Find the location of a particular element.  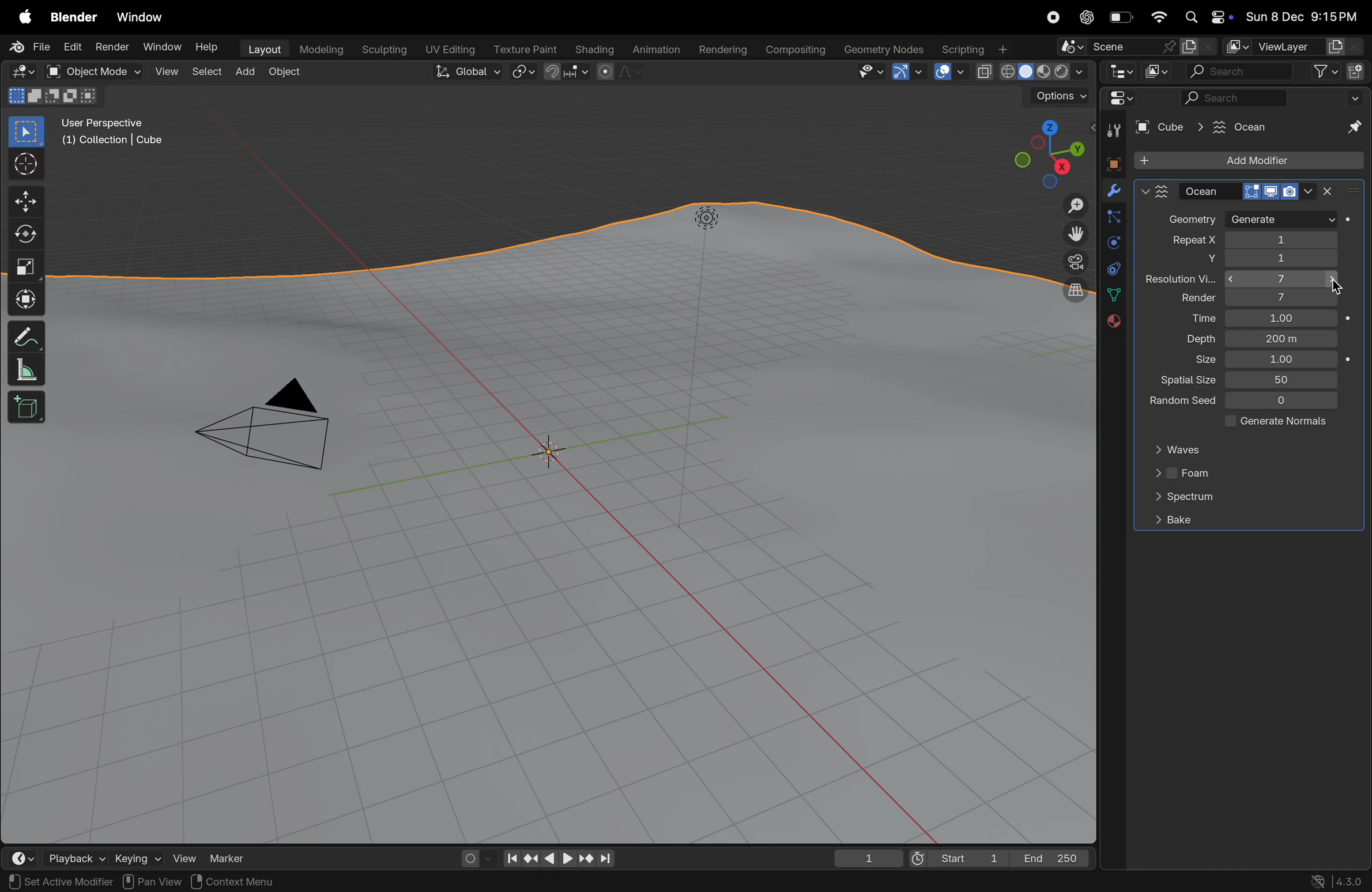

Cube is located at coordinates (1162, 127).